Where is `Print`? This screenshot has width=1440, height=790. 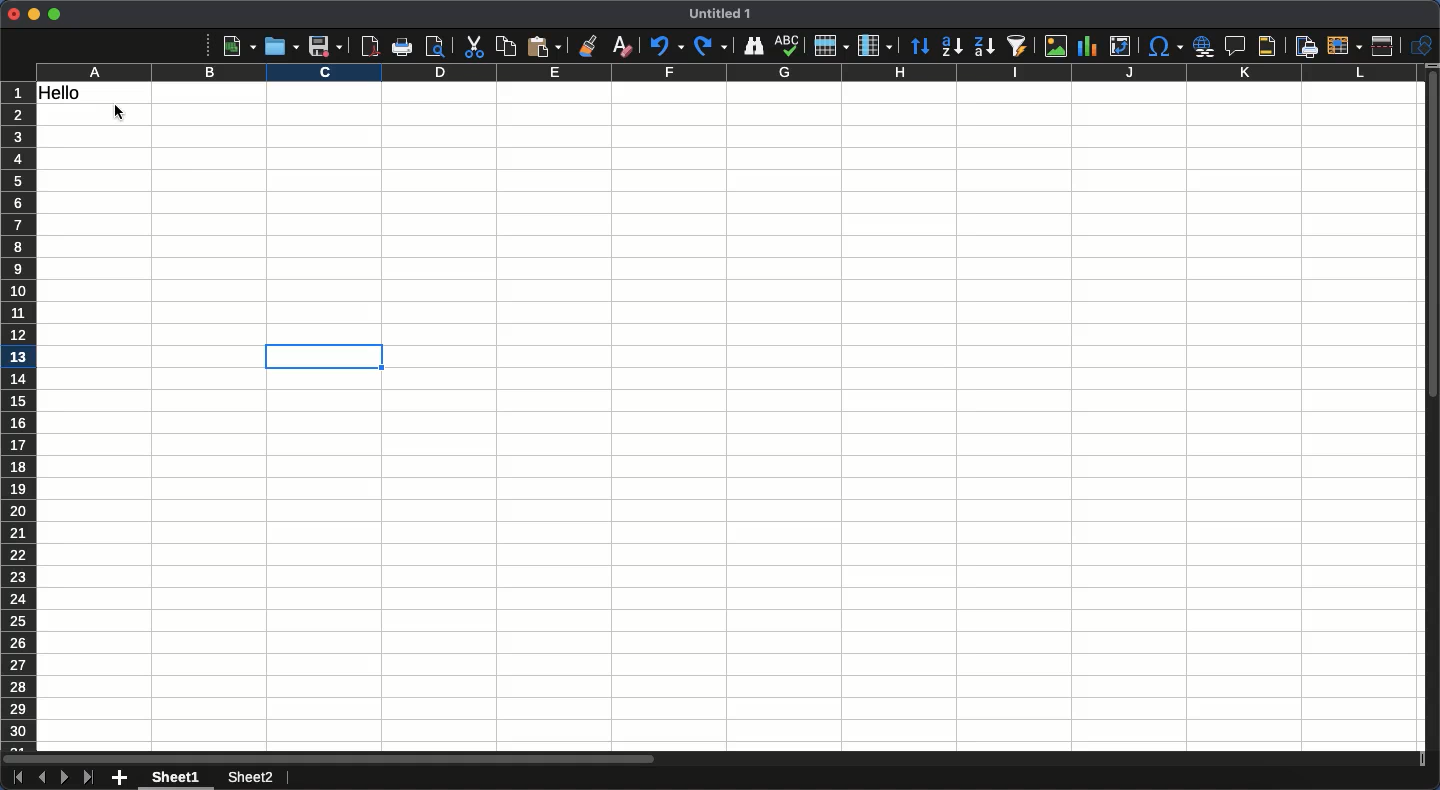 Print is located at coordinates (404, 47).